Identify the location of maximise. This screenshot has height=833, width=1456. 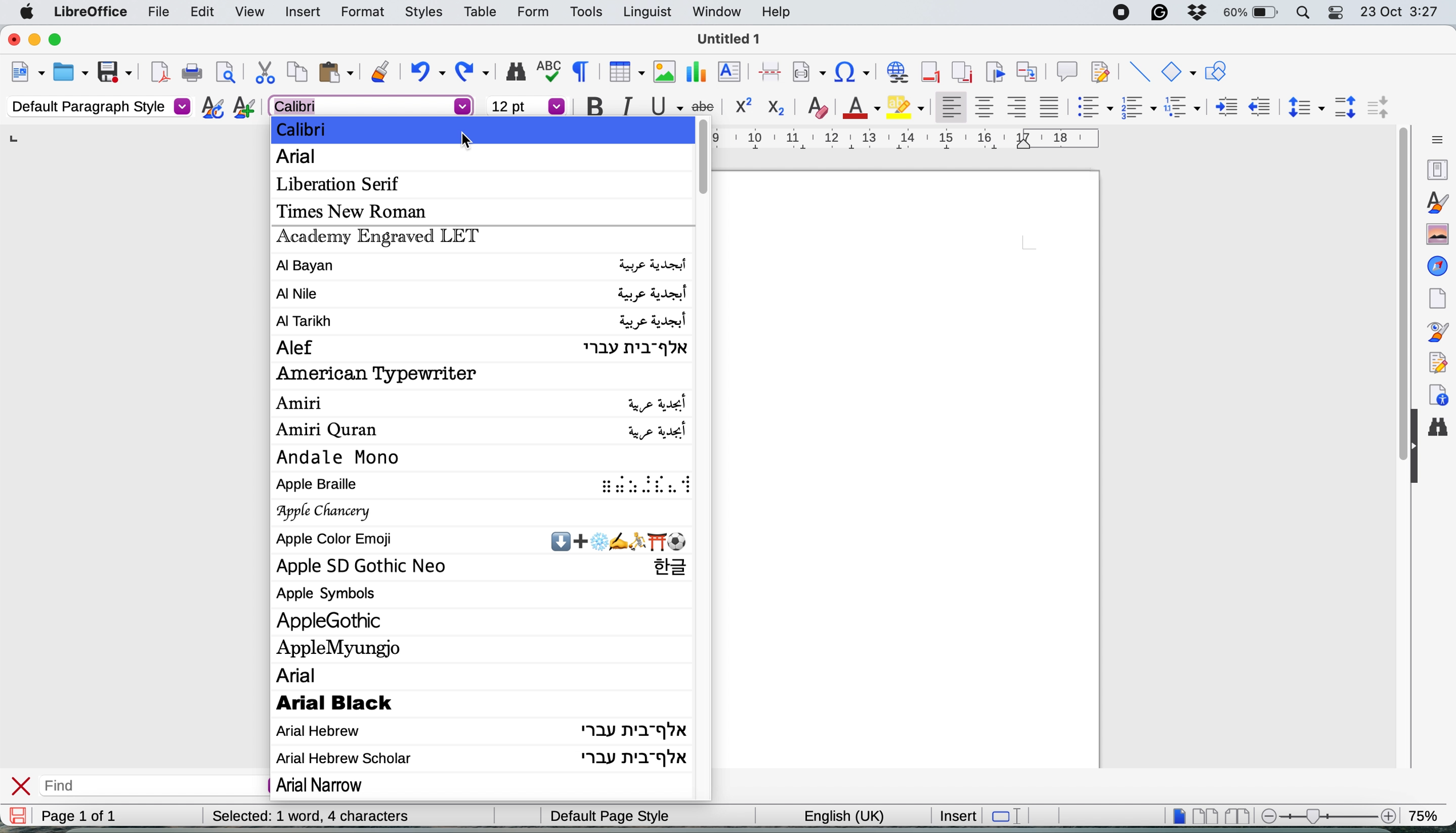
(62, 41).